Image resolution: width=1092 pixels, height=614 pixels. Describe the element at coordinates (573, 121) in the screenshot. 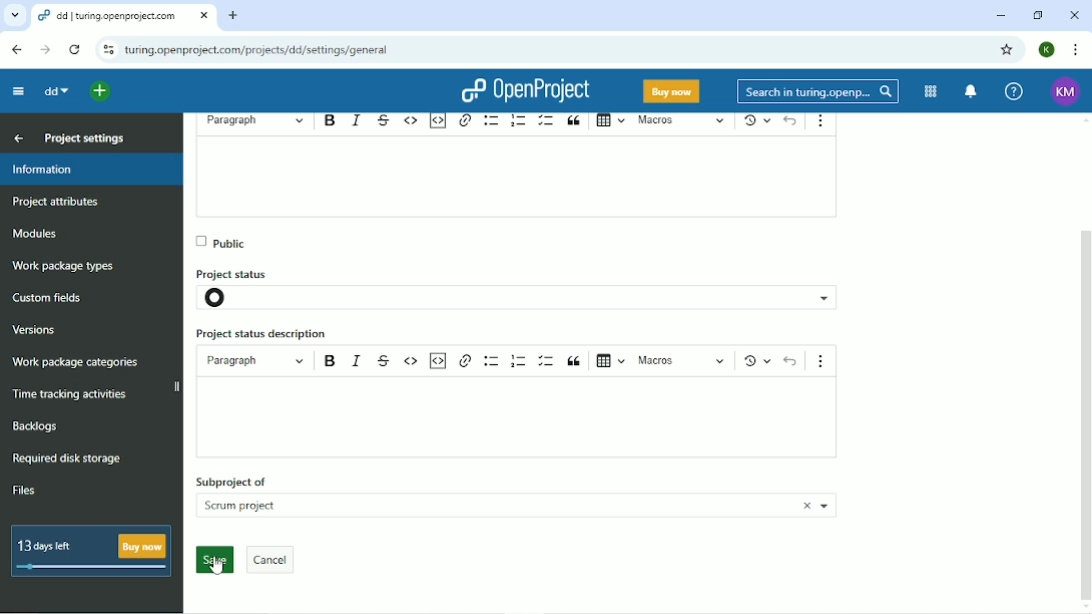

I see `Block quote` at that location.